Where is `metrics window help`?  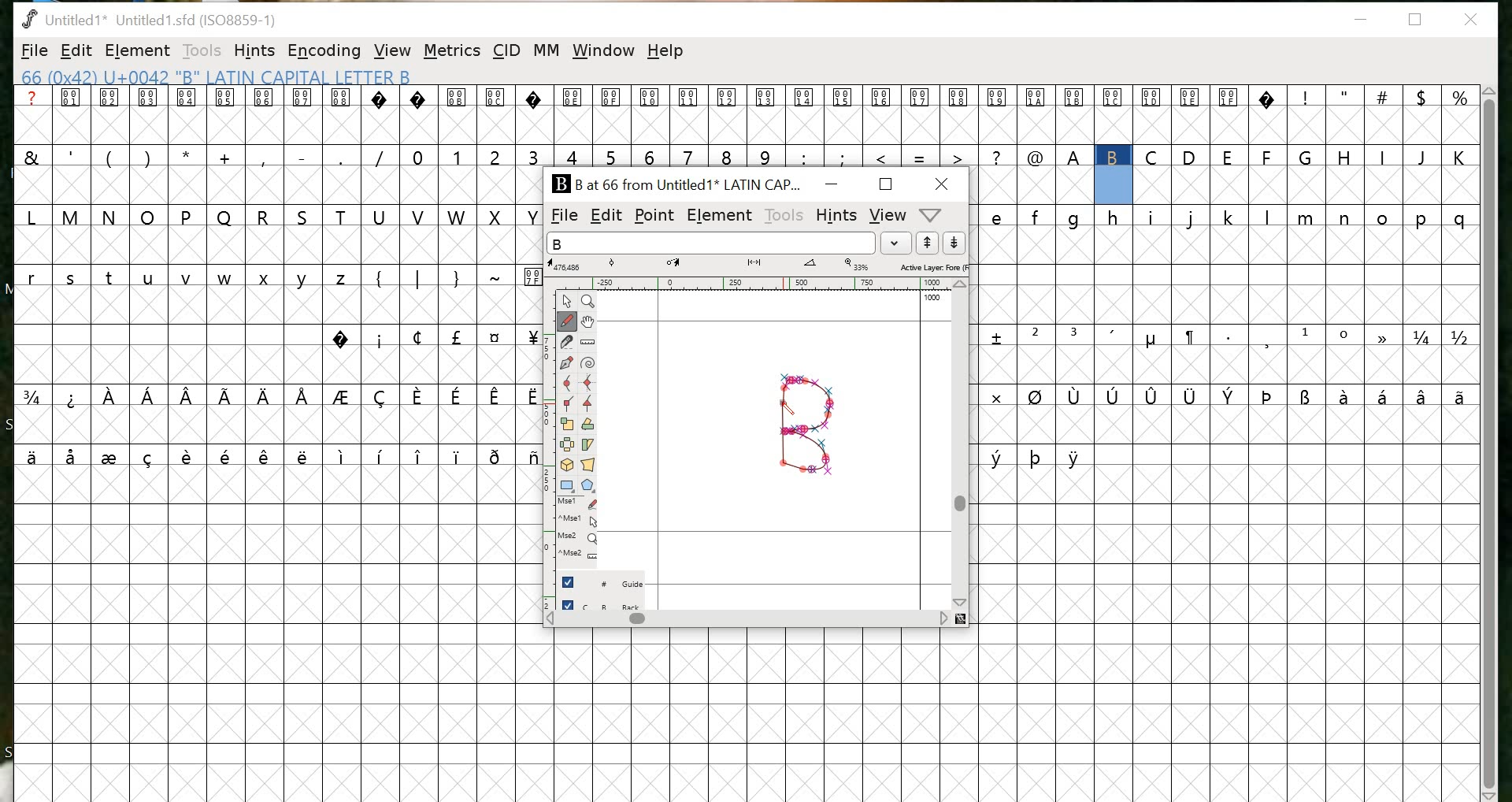
metrics window help is located at coordinates (932, 215).